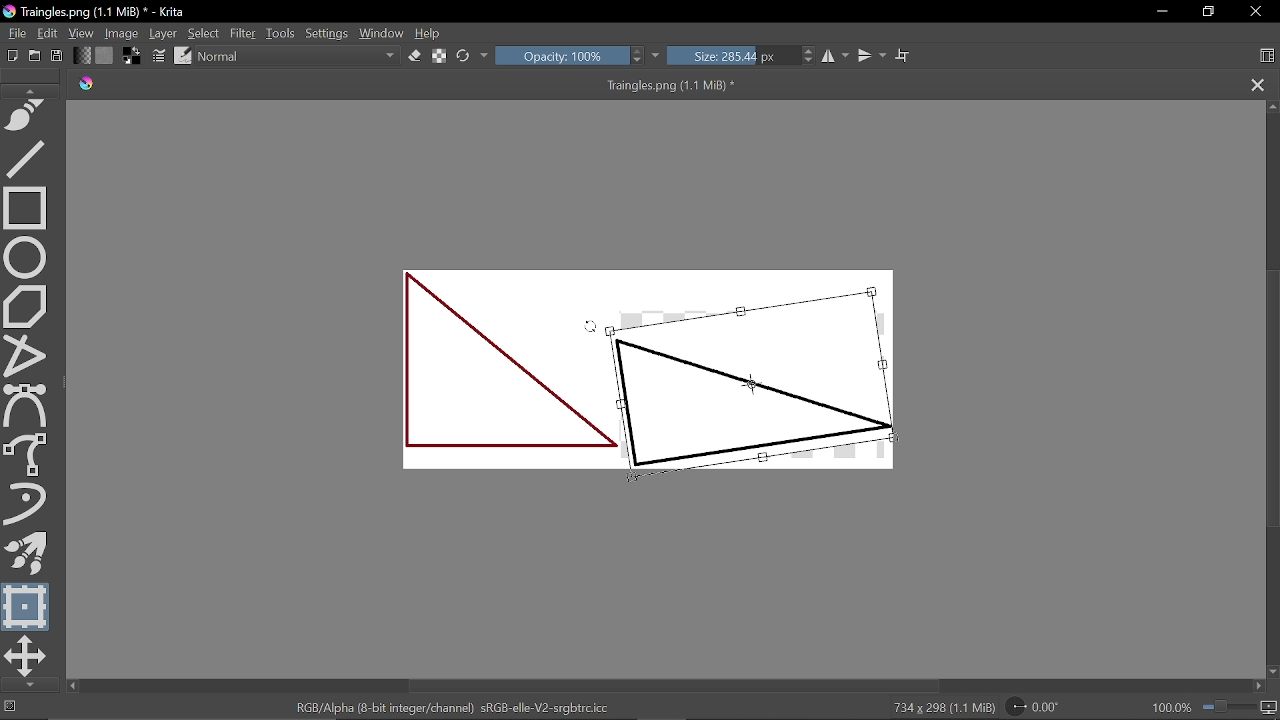 This screenshot has height=720, width=1280. Describe the element at coordinates (428, 34) in the screenshot. I see `Help` at that location.